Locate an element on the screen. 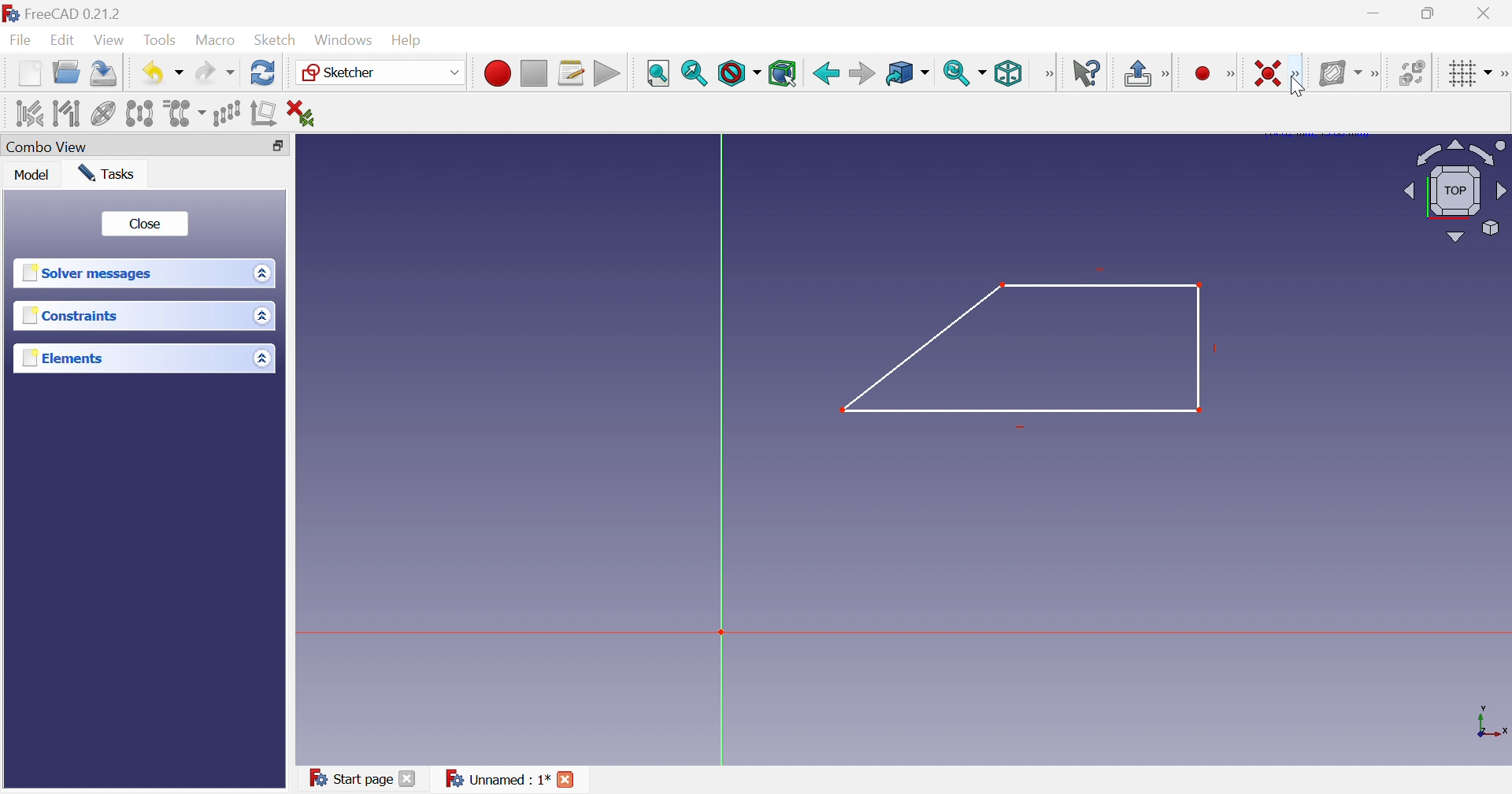 This screenshot has width=1512, height=794. More is located at coordinates (1374, 71).